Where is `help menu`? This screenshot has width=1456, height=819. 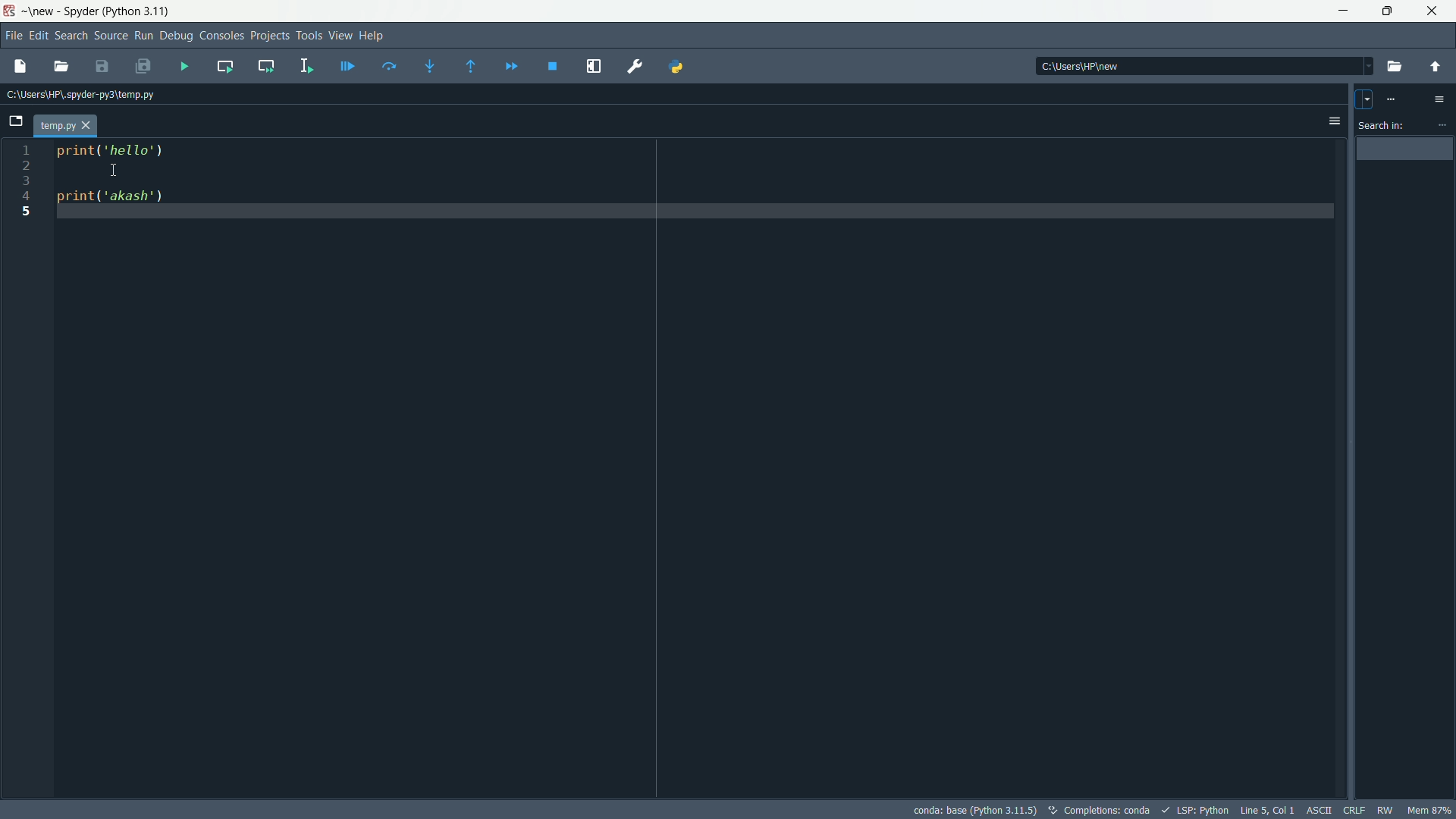 help menu is located at coordinates (372, 36).